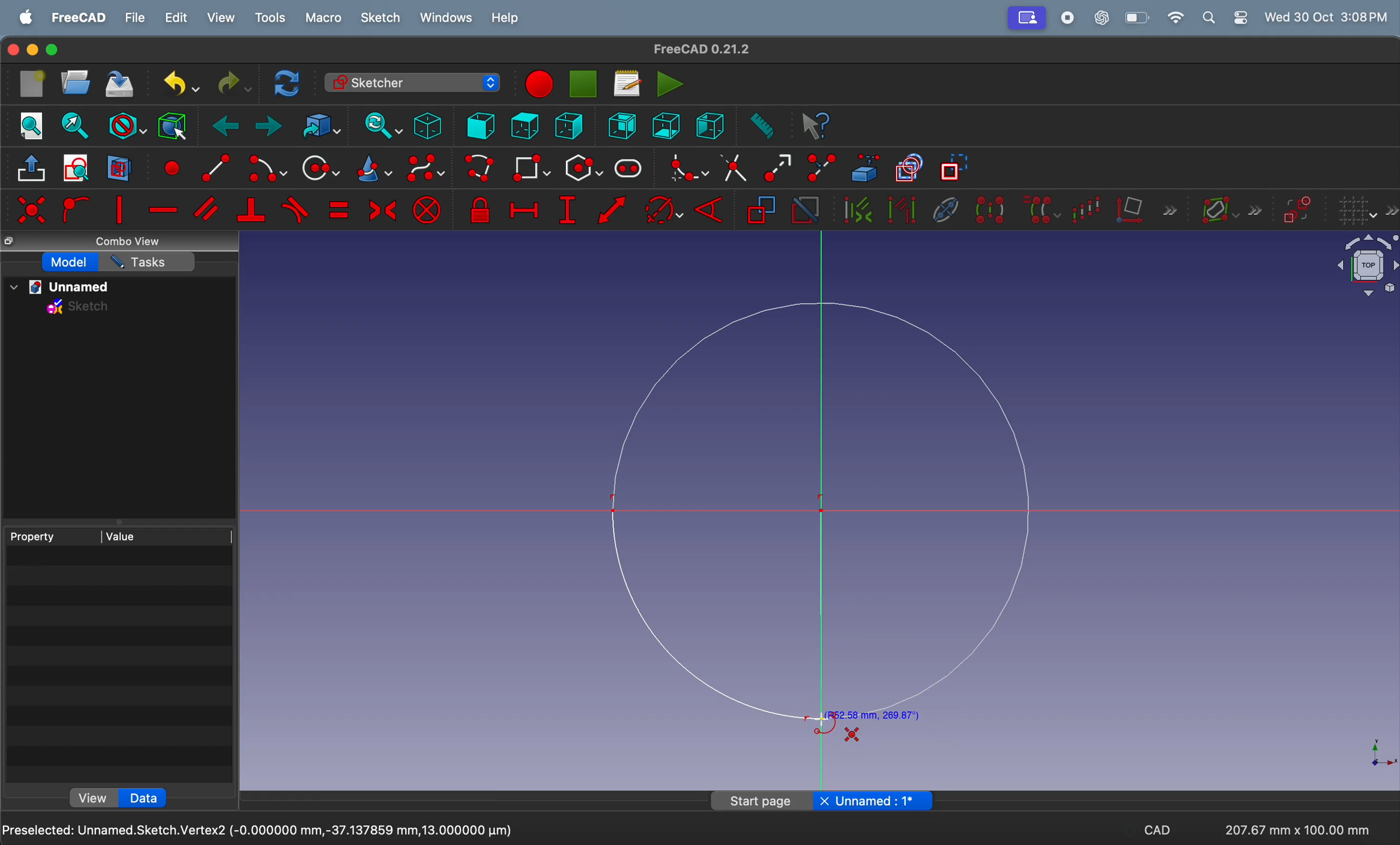 This screenshot has width=1400, height=845. What do you see at coordinates (1376, 752) in the screenshot?
I see `axis` at bounding box center [1376, 752].